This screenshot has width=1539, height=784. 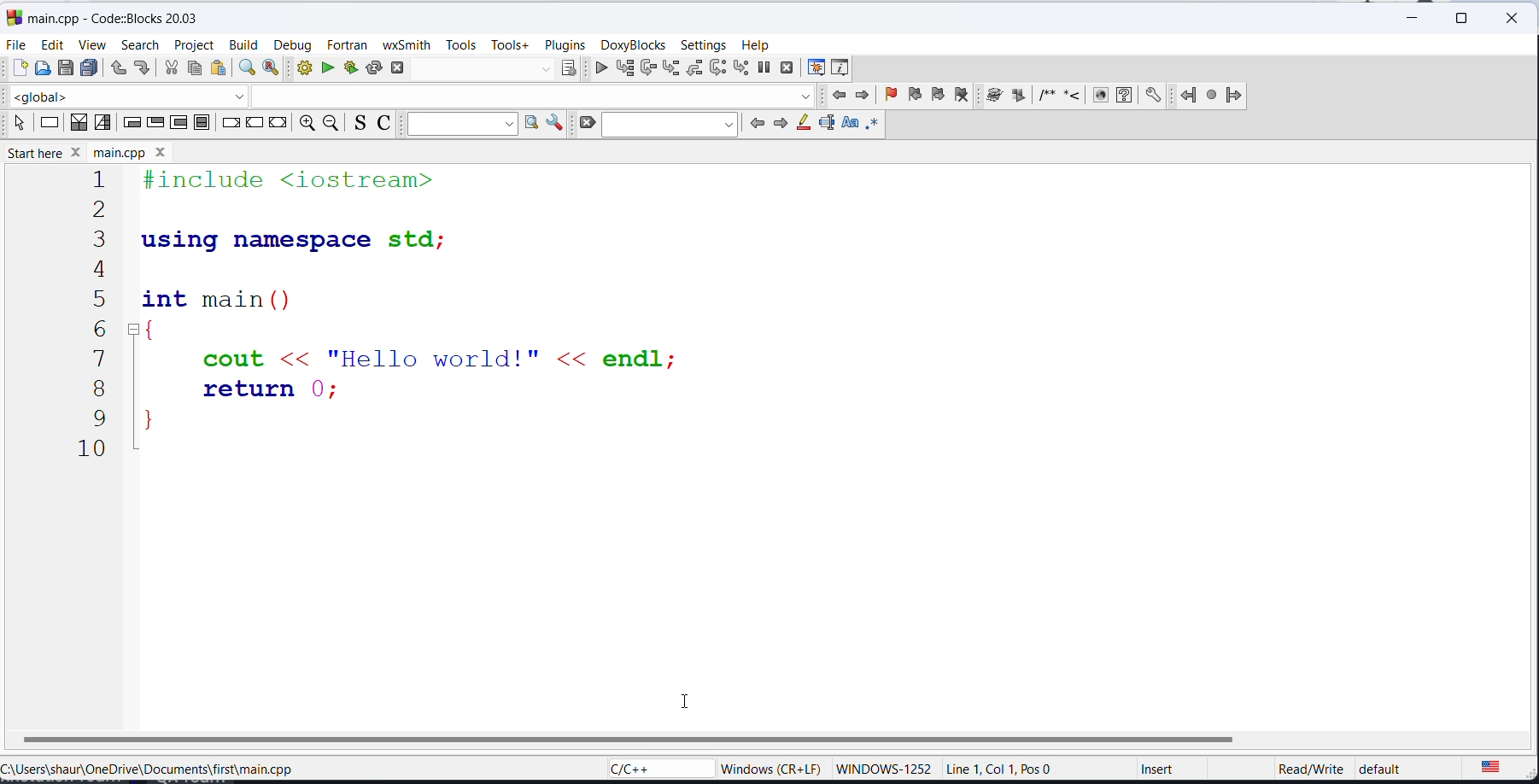 What do you see at coordinates (154, 125) in the screenshot?
I see `exit condition loop` at bounding box center [154, 125].